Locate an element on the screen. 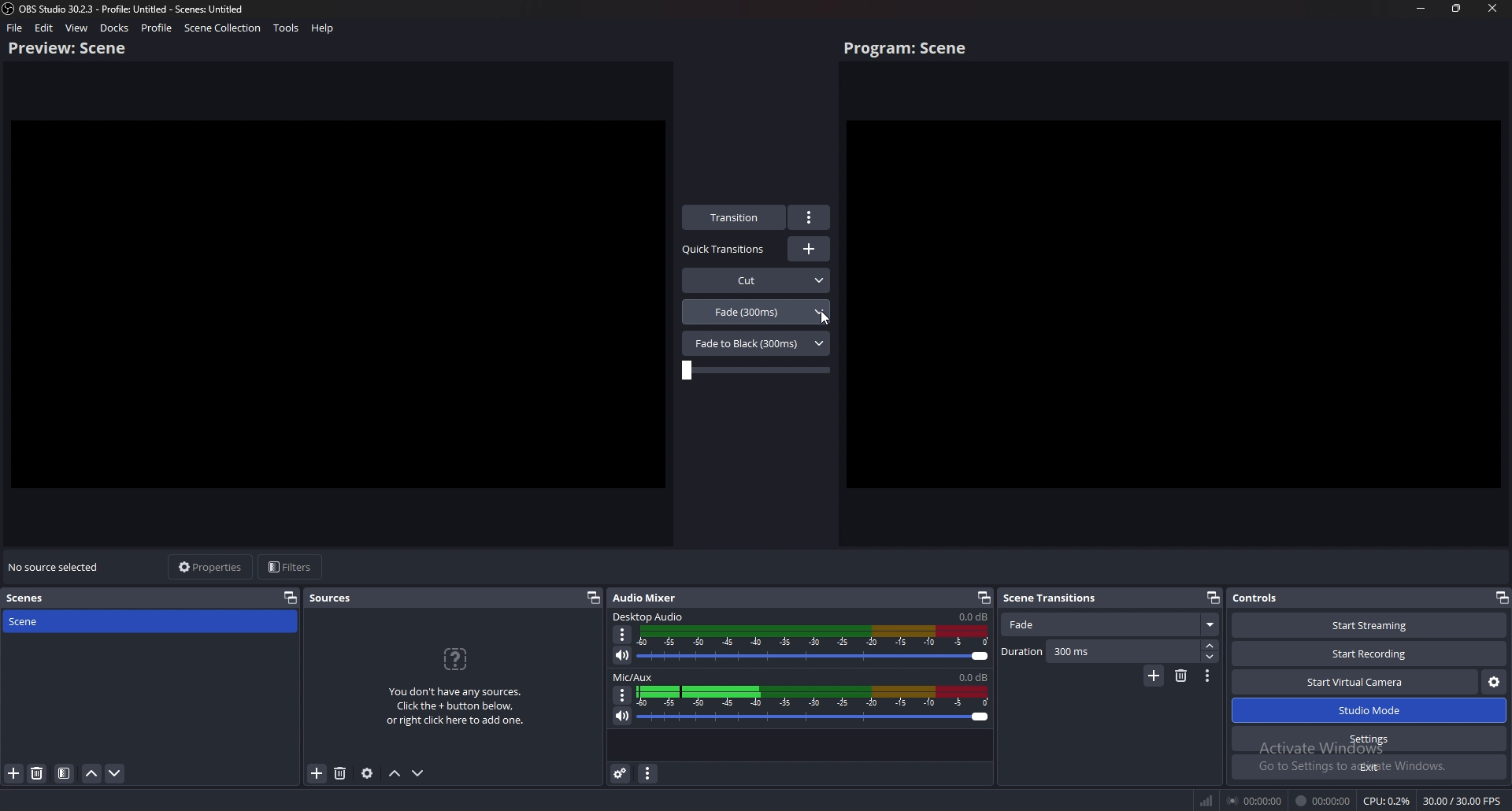  Configure virtual camera is located at coordinates (1493, 683).